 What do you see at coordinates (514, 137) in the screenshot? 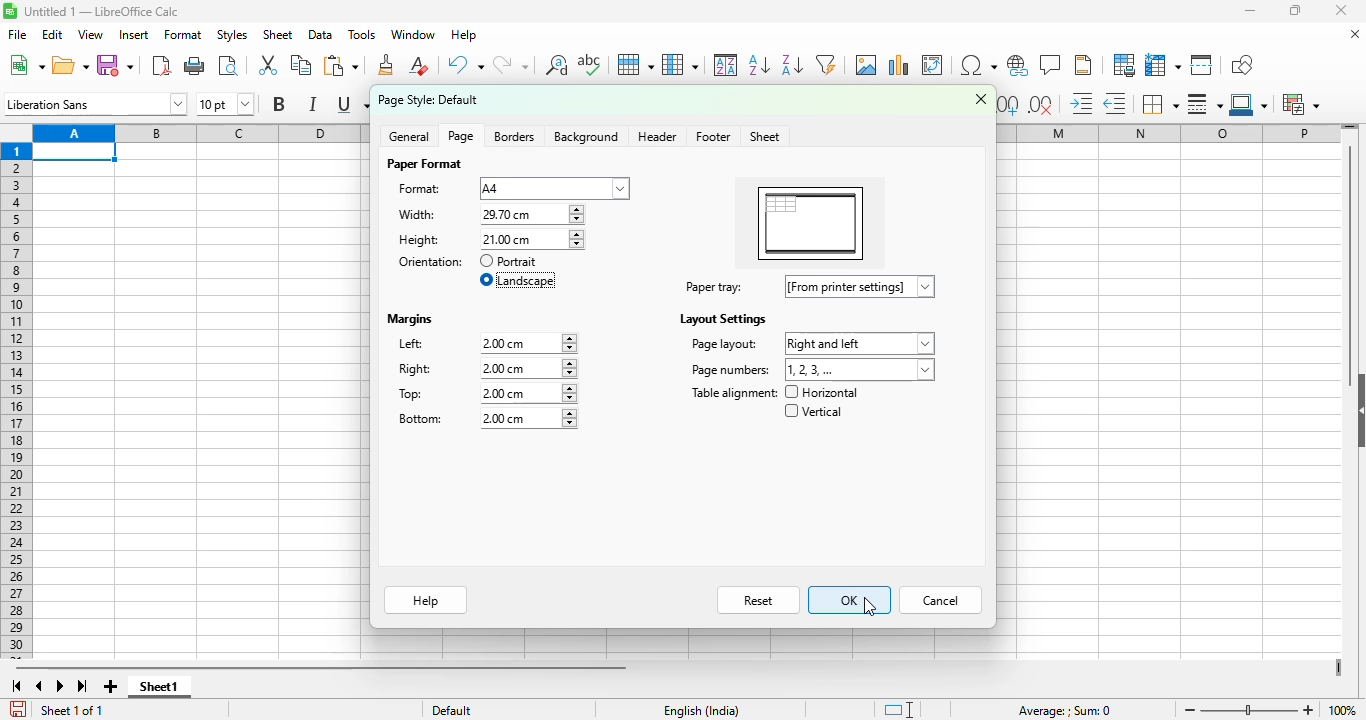
I see `borders` at bounding box center [514, 137].